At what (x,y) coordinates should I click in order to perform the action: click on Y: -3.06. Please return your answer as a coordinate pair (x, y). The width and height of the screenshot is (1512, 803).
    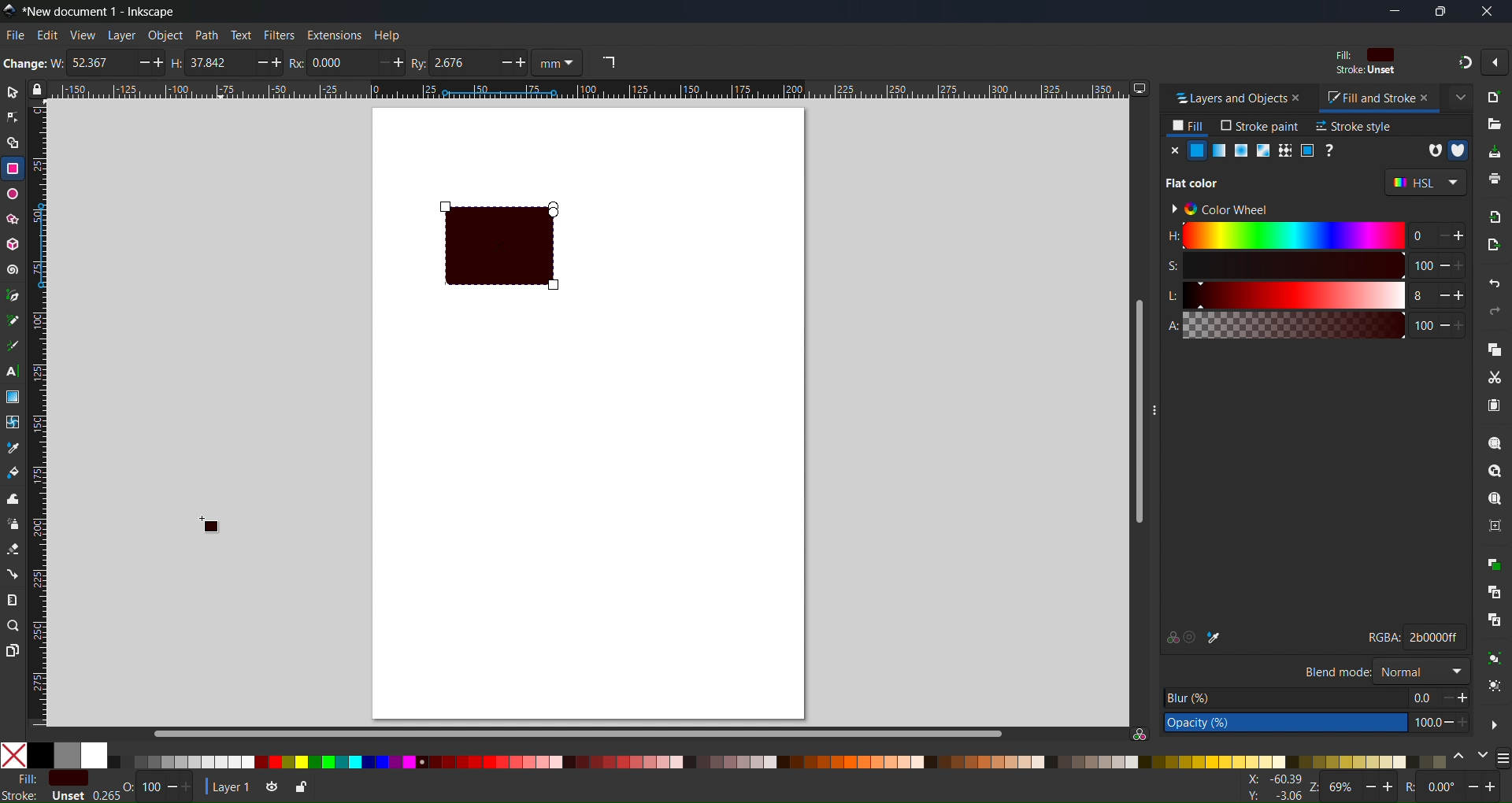
    Looking at the image, I should click on (1272, 796).